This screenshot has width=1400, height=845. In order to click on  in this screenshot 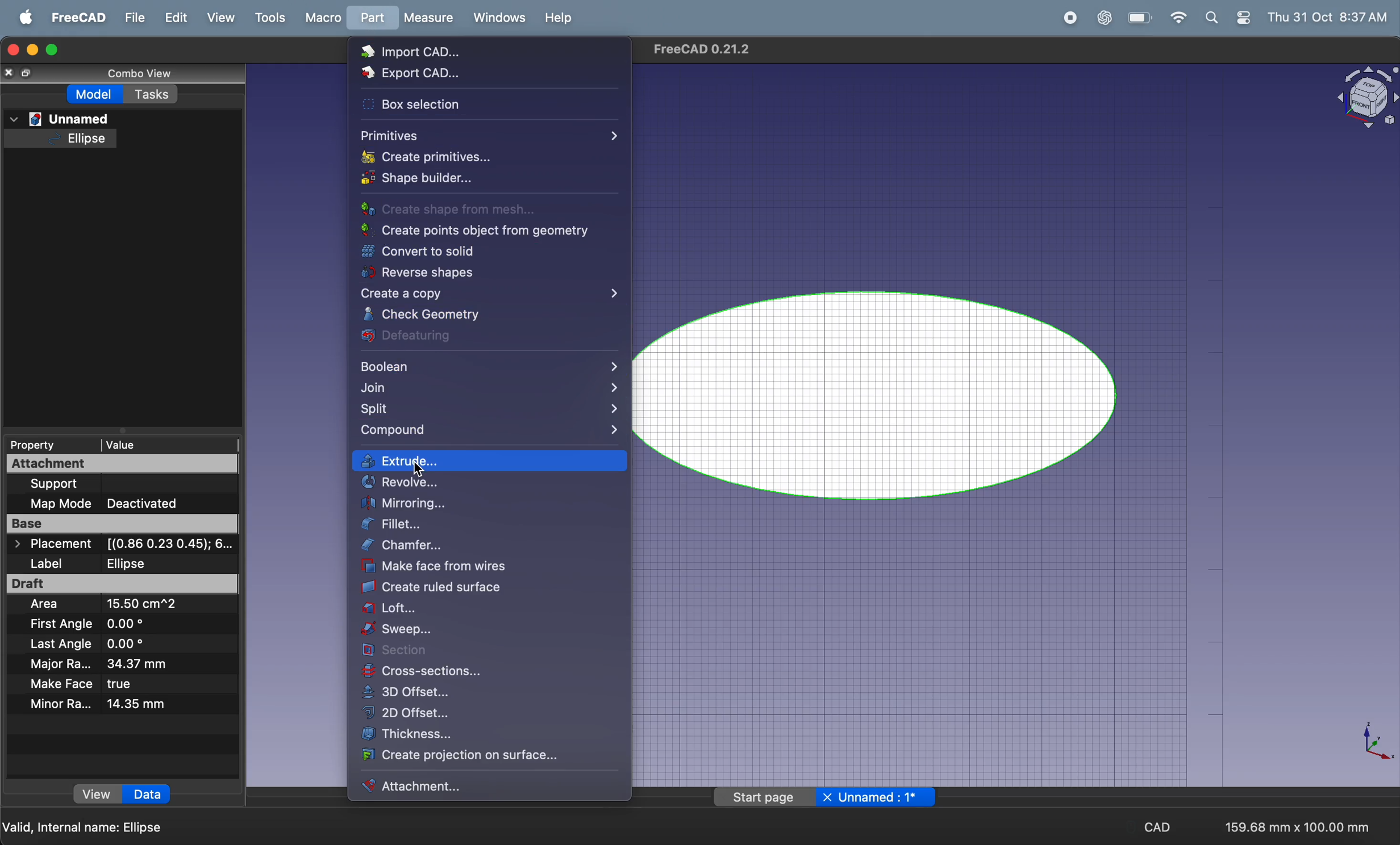, I will do `click(489, 157)`.